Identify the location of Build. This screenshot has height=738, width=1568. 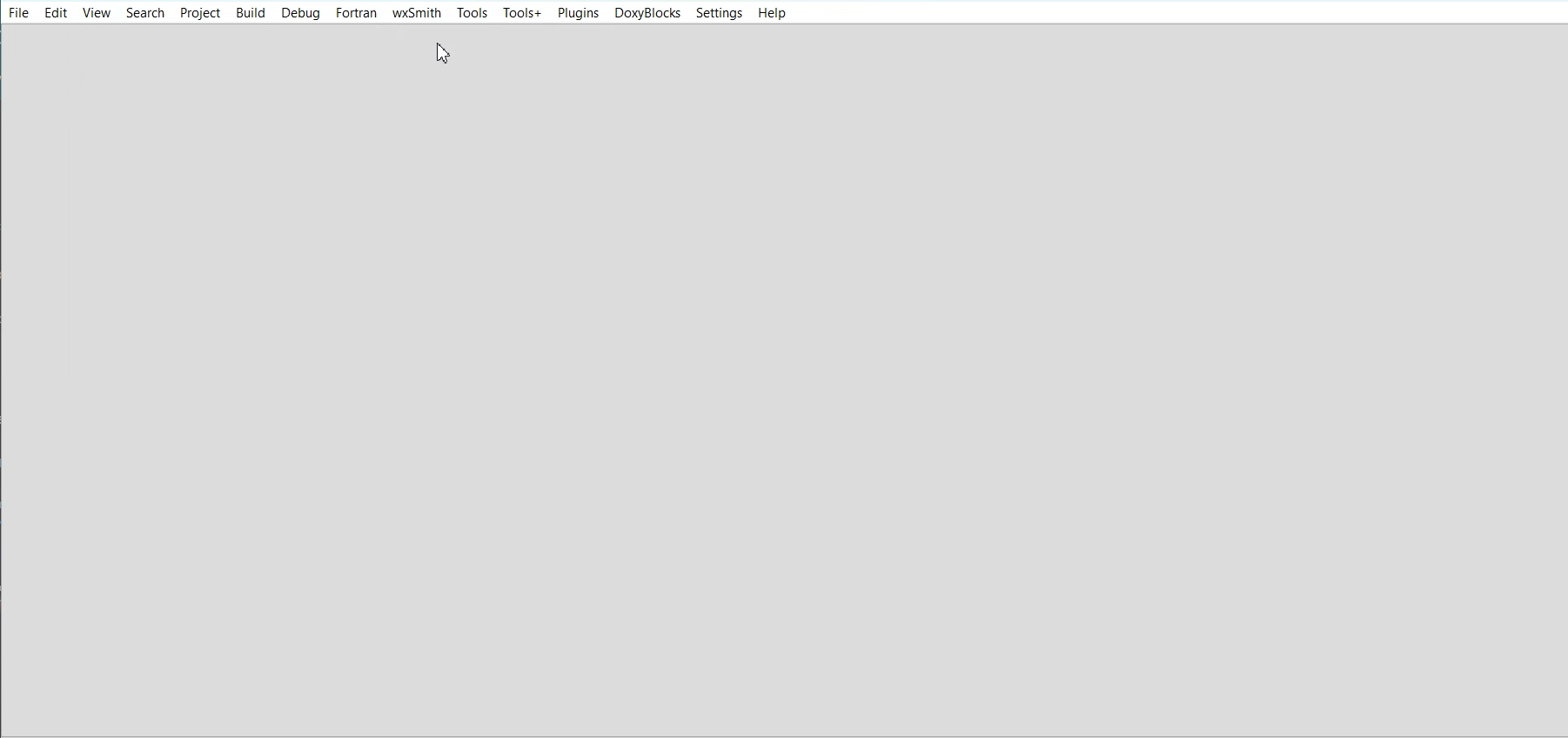
(250, 12).